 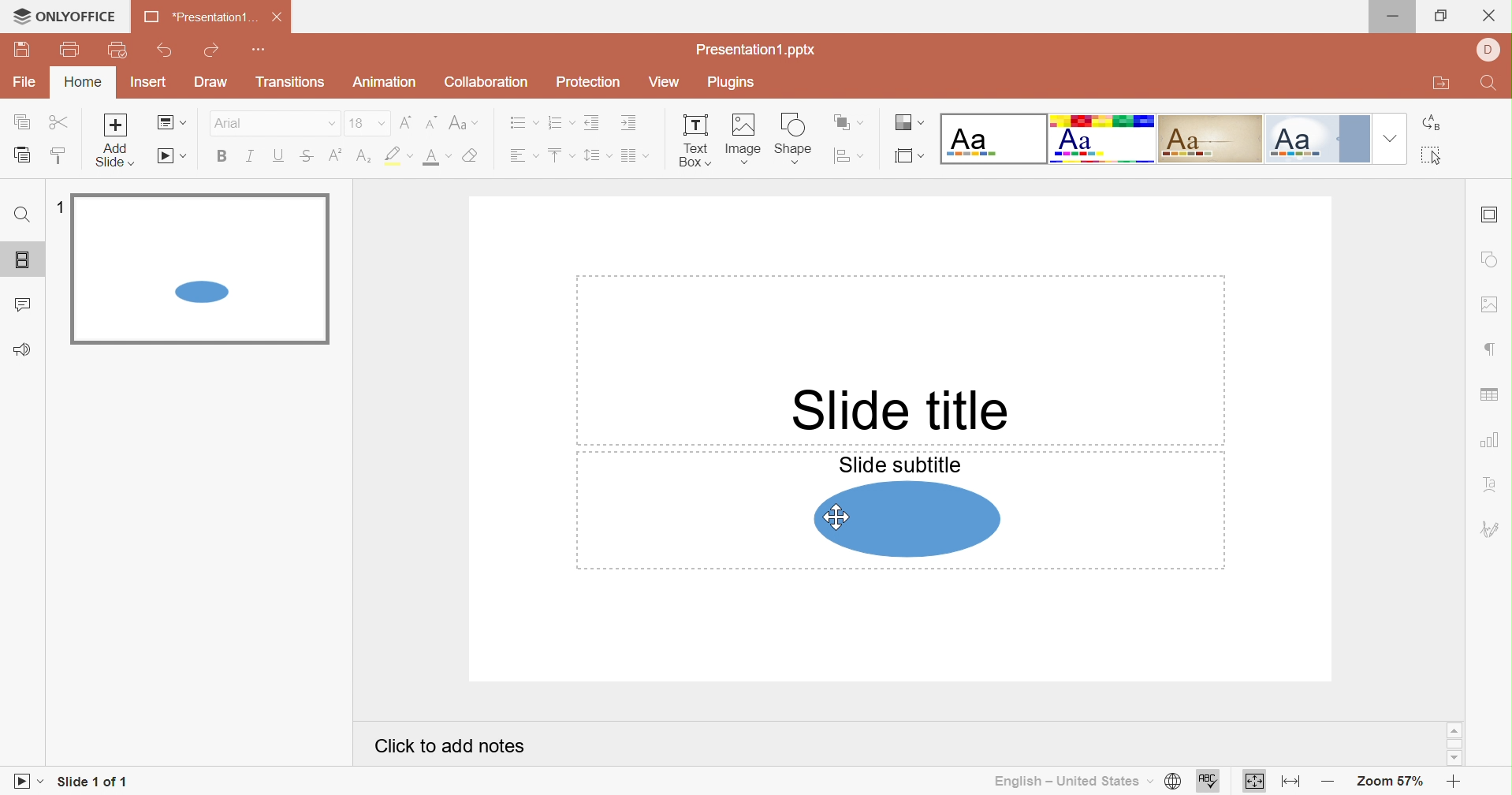 I want to click on Font size 18, so click(x=367, y=122).